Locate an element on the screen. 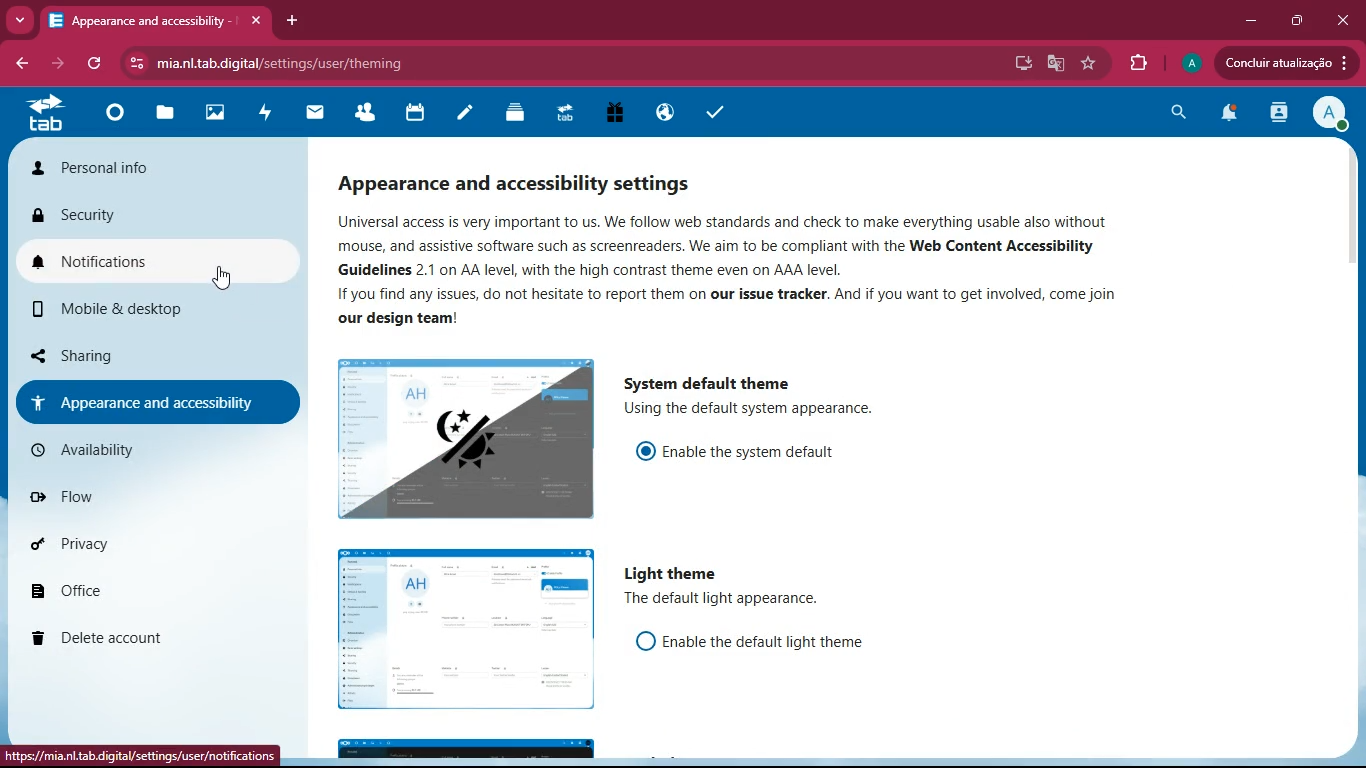  off is located at coordinates (644, 642).